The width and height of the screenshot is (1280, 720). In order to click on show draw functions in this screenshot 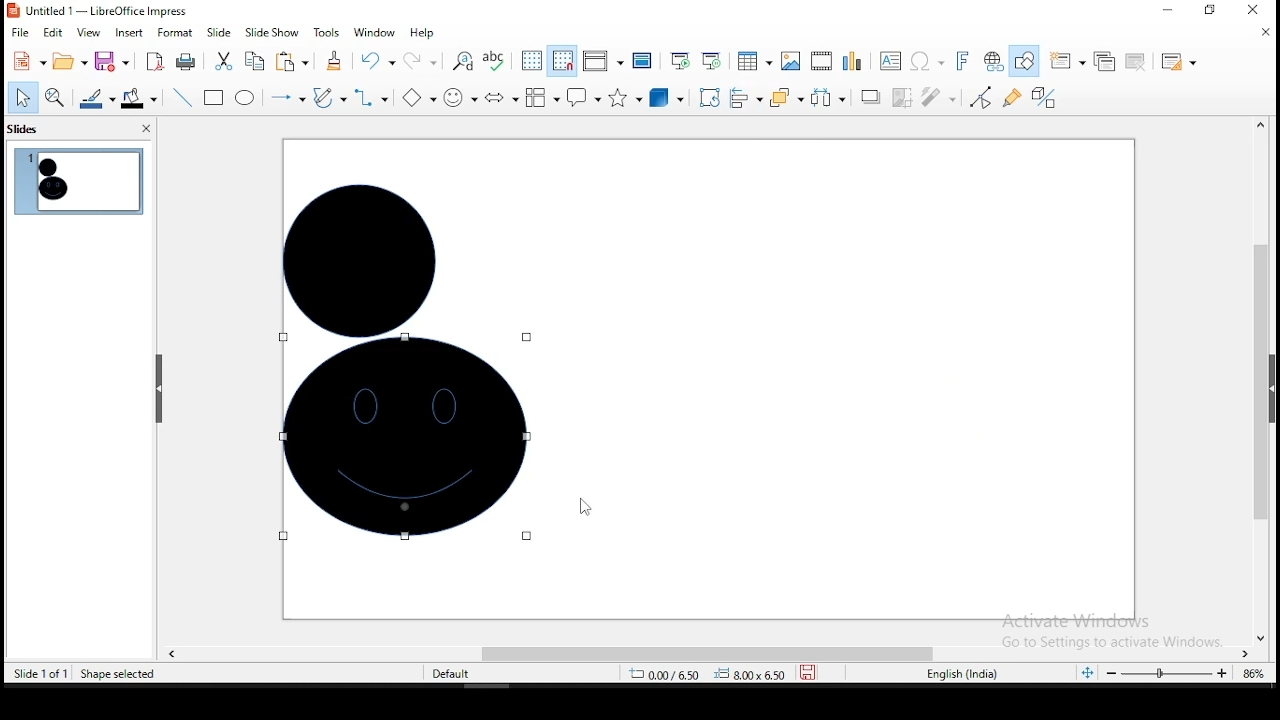, I will do `click(1028, 61)`.